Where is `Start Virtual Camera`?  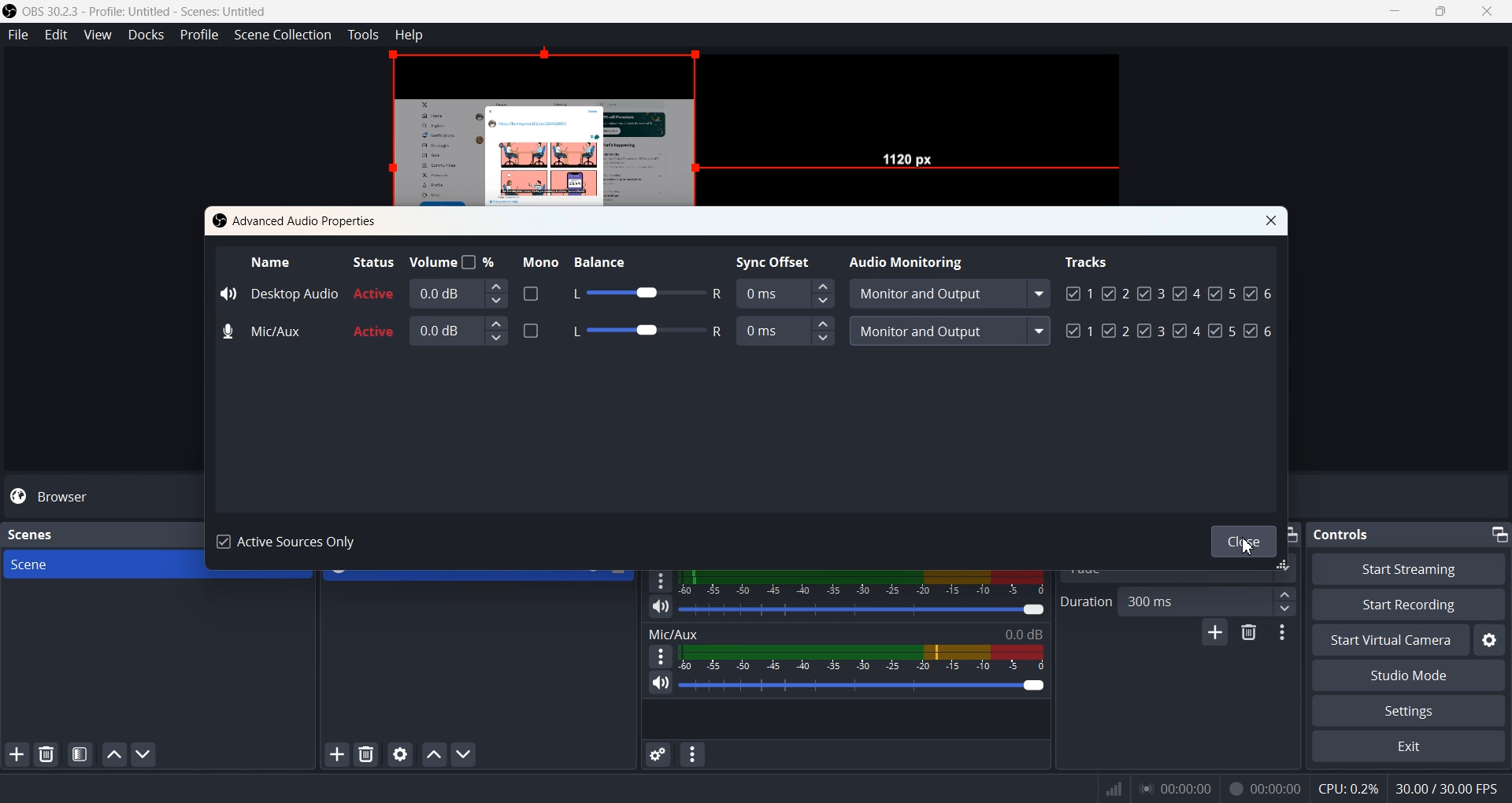 Start Virtual Camera is located at coordinates (1388, 640).